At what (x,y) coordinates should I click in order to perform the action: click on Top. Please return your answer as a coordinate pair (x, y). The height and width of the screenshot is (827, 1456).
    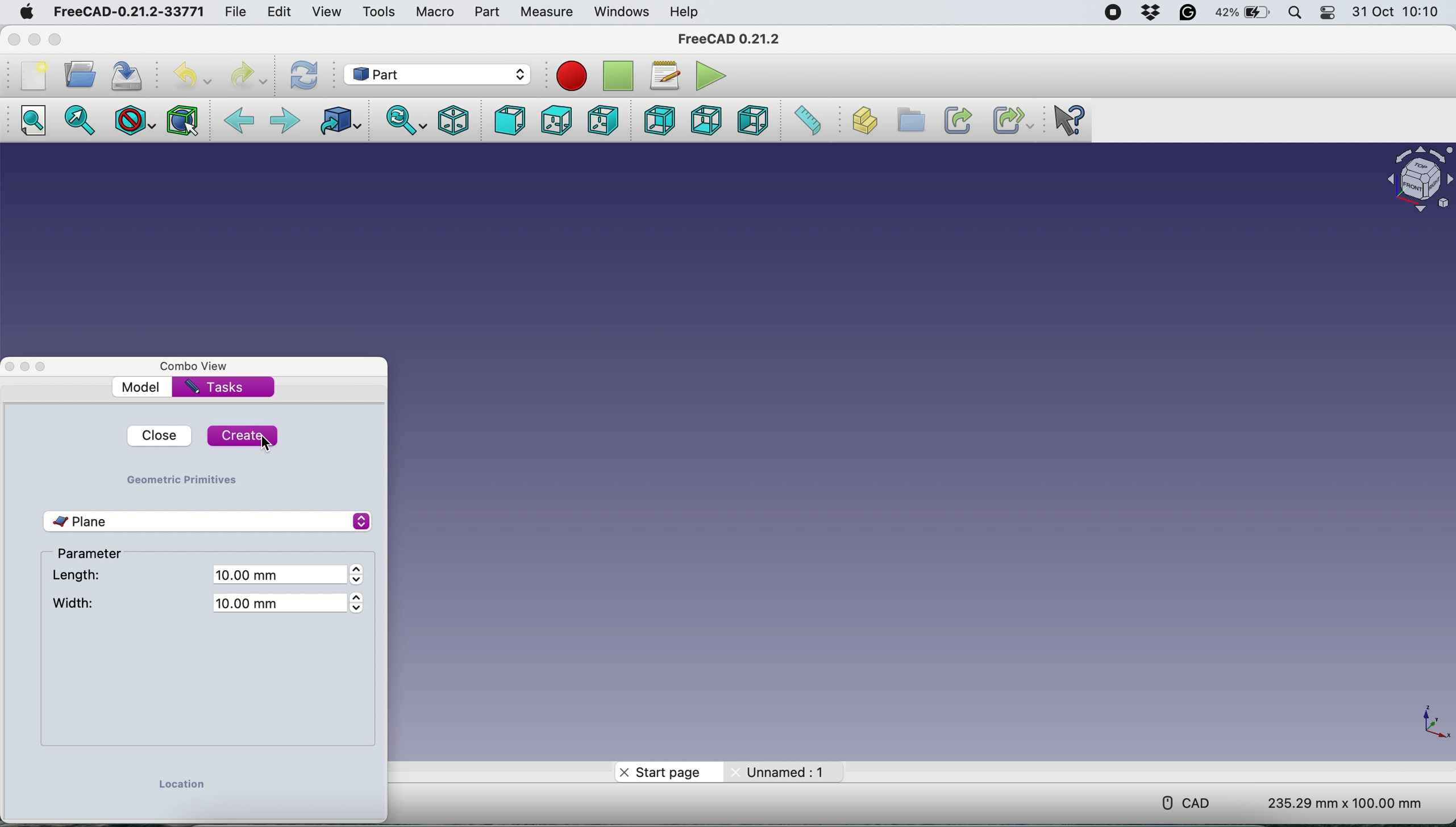
    Looking at the image, I should click on (555, 120).